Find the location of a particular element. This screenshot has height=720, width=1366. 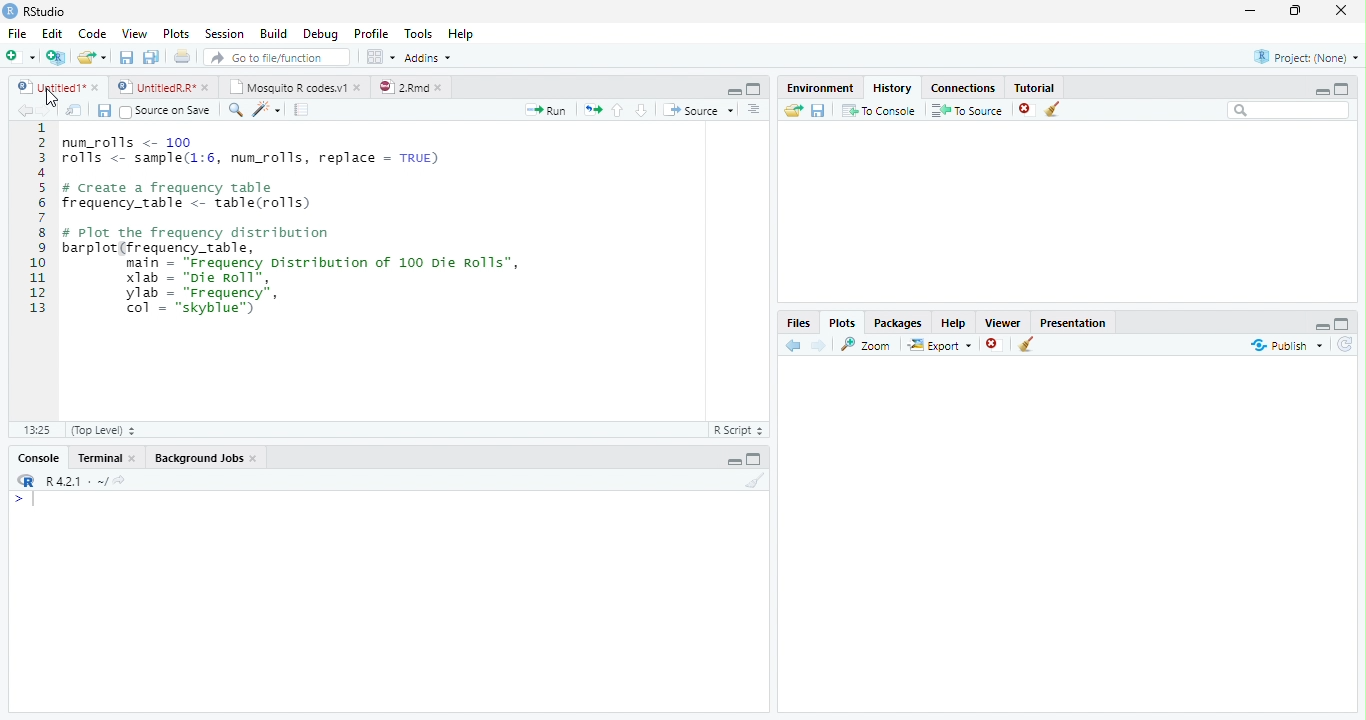

Refresh List is located at coordinates (1344, 345).